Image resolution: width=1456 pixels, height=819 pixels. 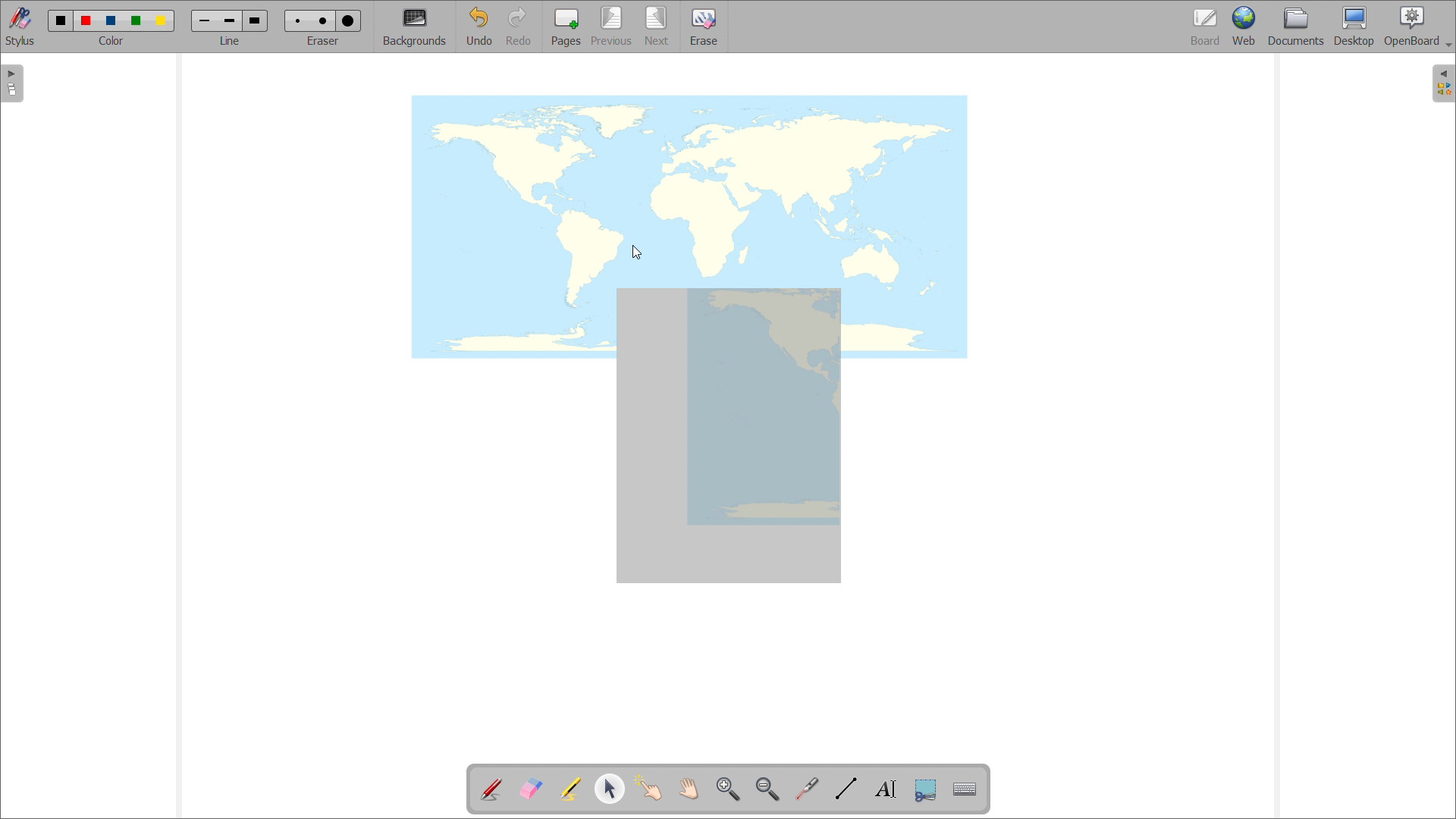 What do you see at coordinates (1207, 27) in the screenshot?
I see `board` at bounding box center [1207, 27].